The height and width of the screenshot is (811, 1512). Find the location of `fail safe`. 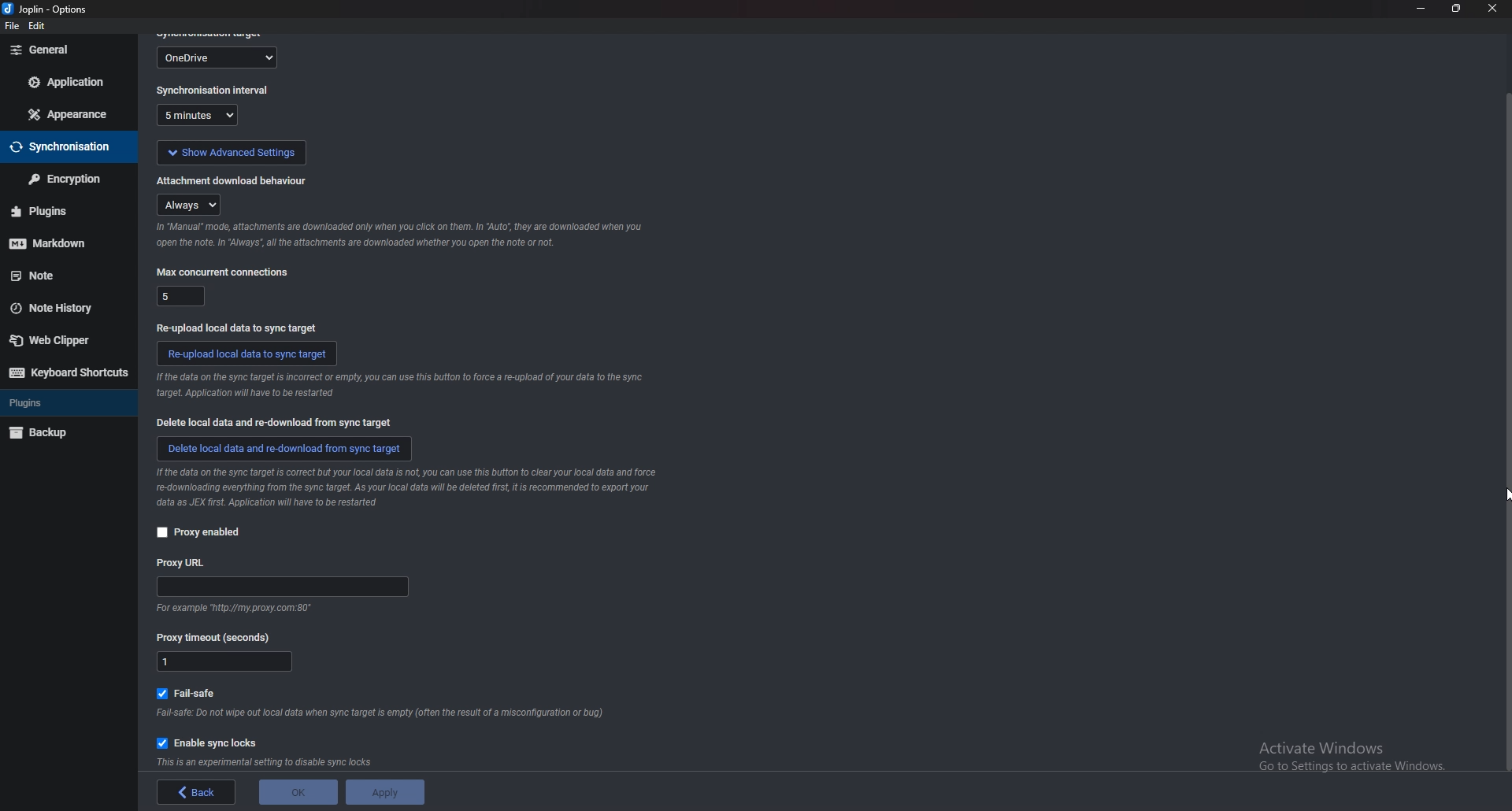

fail safe is located at coordinates (193, 691).